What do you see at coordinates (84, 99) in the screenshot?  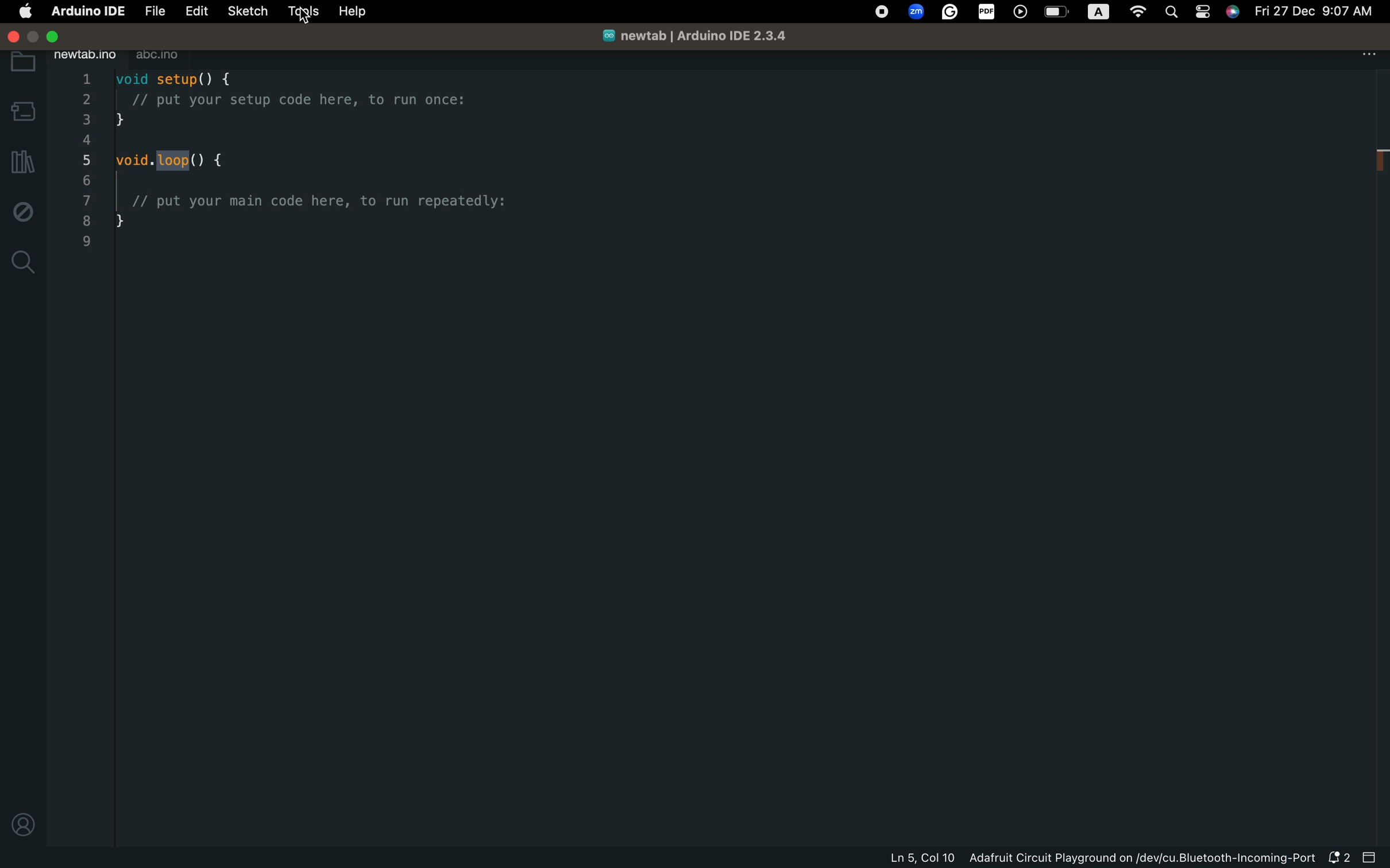 I see `2` at bounding box center [84, 99].